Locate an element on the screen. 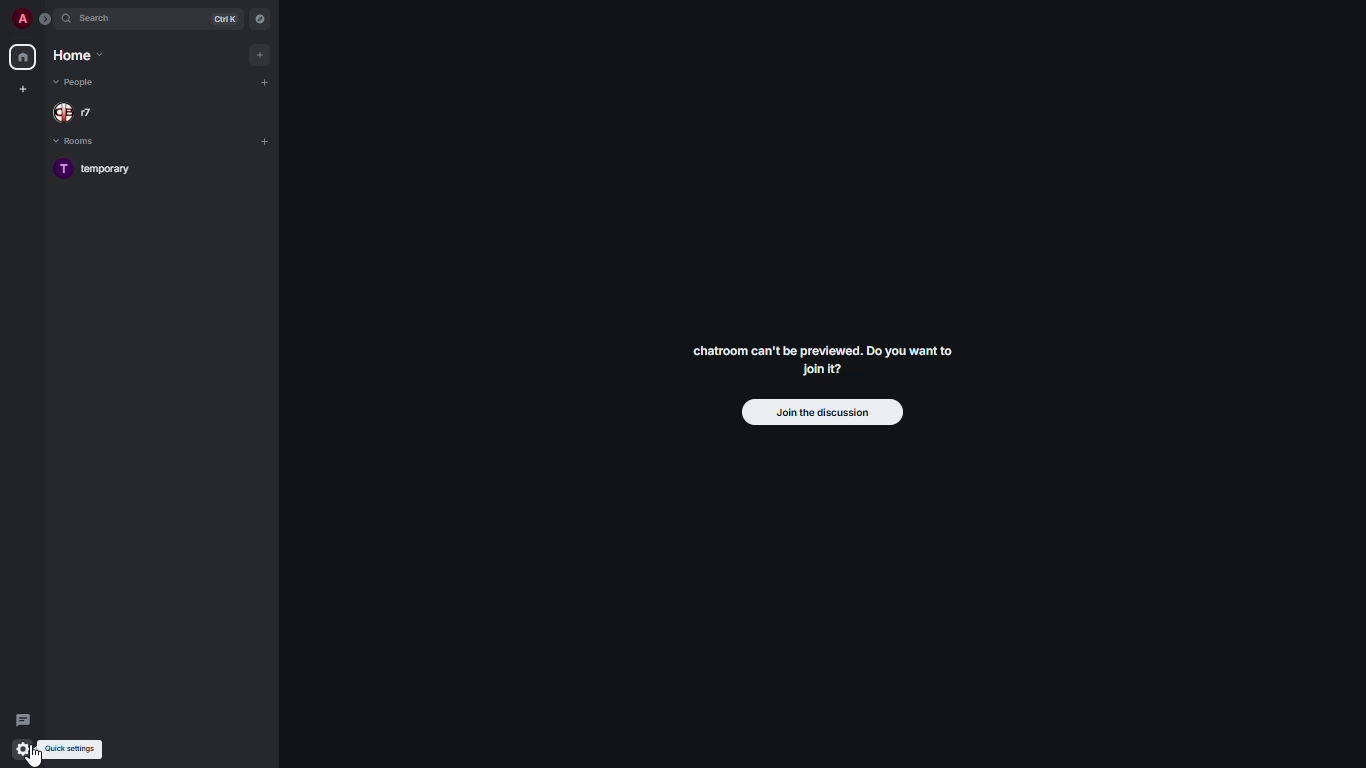  chatroom can't be previewed is located at coordinates (819, 360).